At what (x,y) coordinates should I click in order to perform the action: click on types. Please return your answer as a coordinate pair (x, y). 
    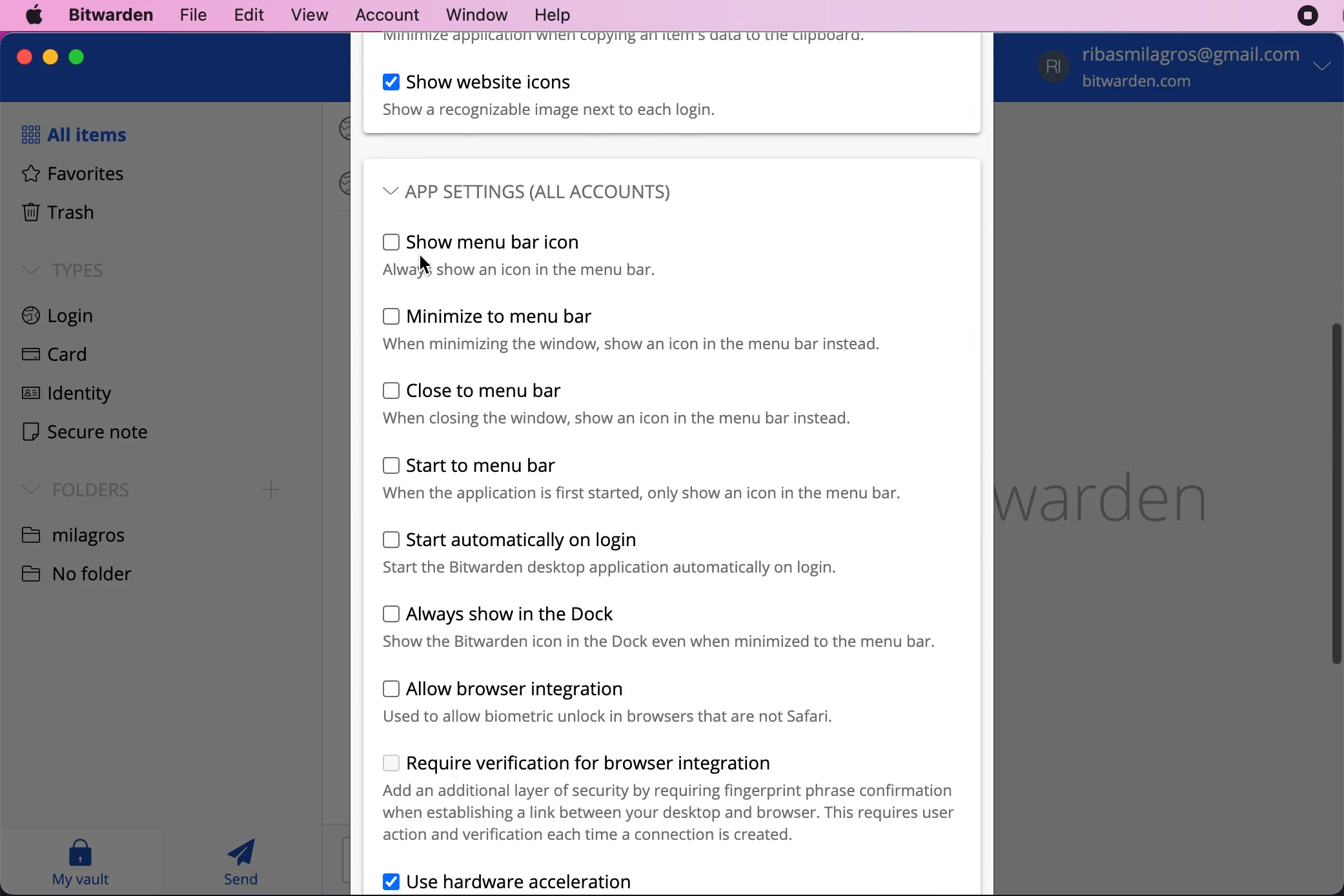
    Looking at the image, I should click on (63, 269).